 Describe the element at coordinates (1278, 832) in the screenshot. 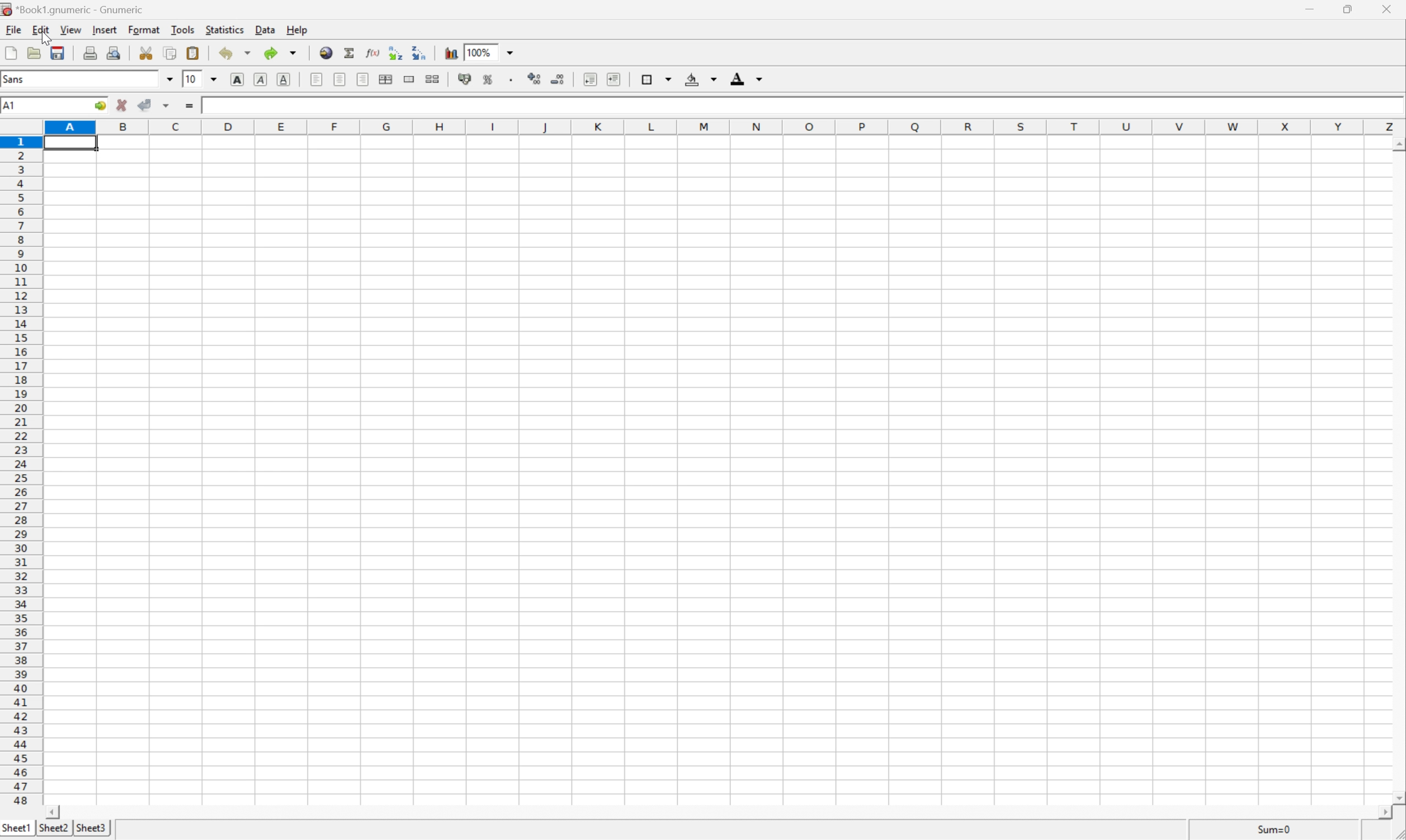

I see `sum=0` at that location.